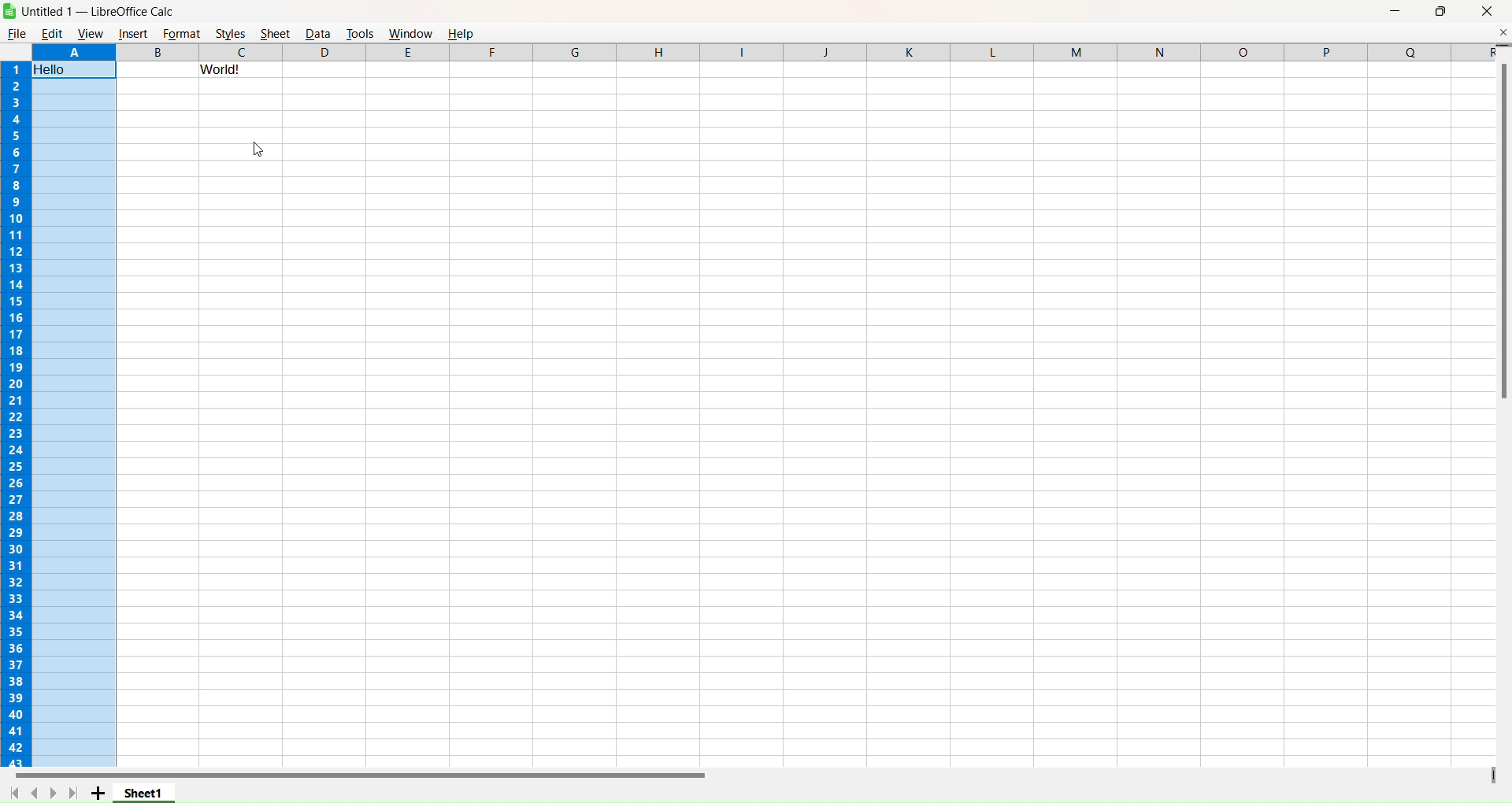 This screenshot has width=1512, height=803. What do you see at coordinates (75, 424) in the screenshot?
I see `column A selected` at bounding box center [75, 424].